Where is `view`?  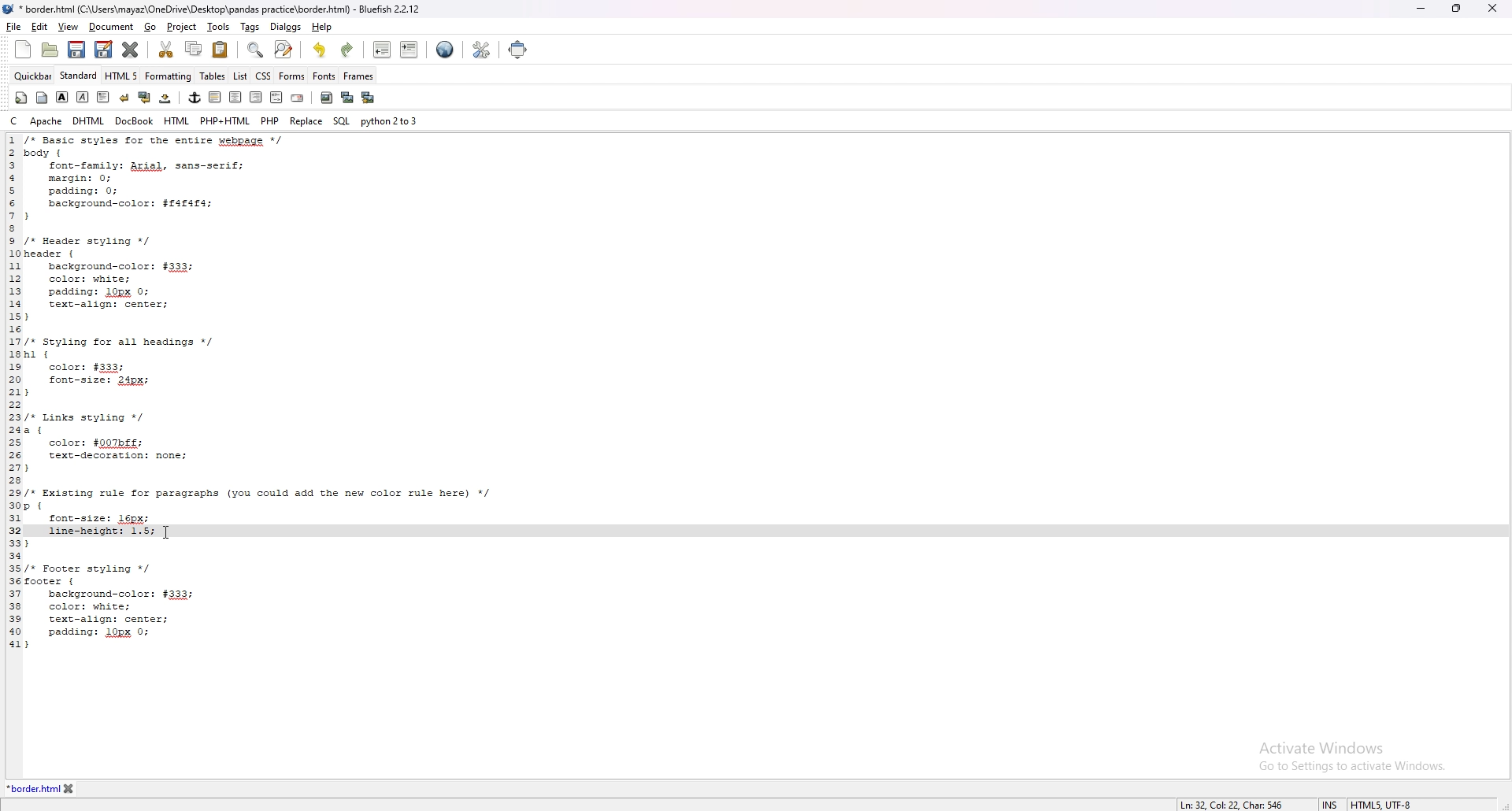 view is located at coordinates (68, 28).